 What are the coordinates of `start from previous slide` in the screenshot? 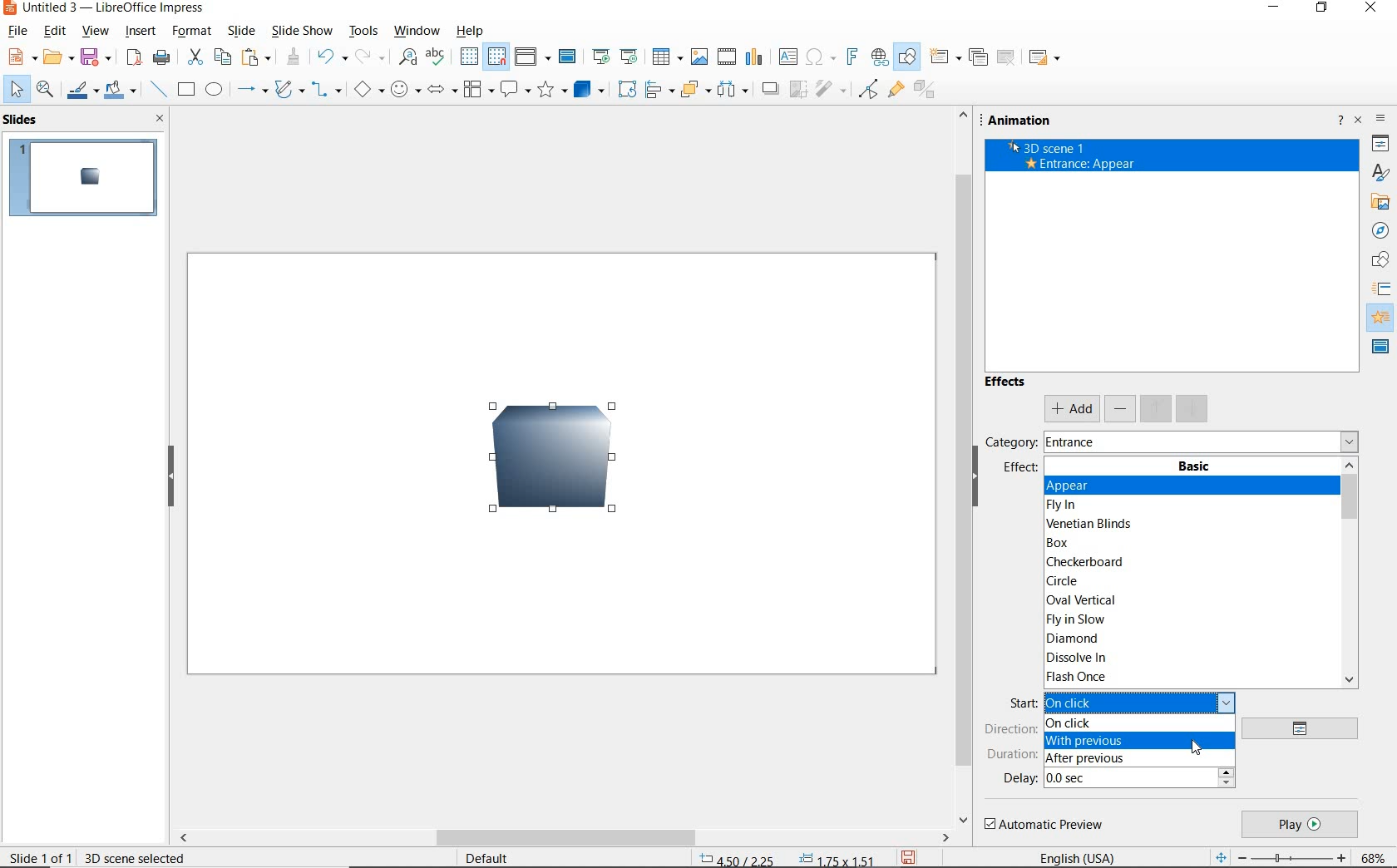 It's located at (600, 56).